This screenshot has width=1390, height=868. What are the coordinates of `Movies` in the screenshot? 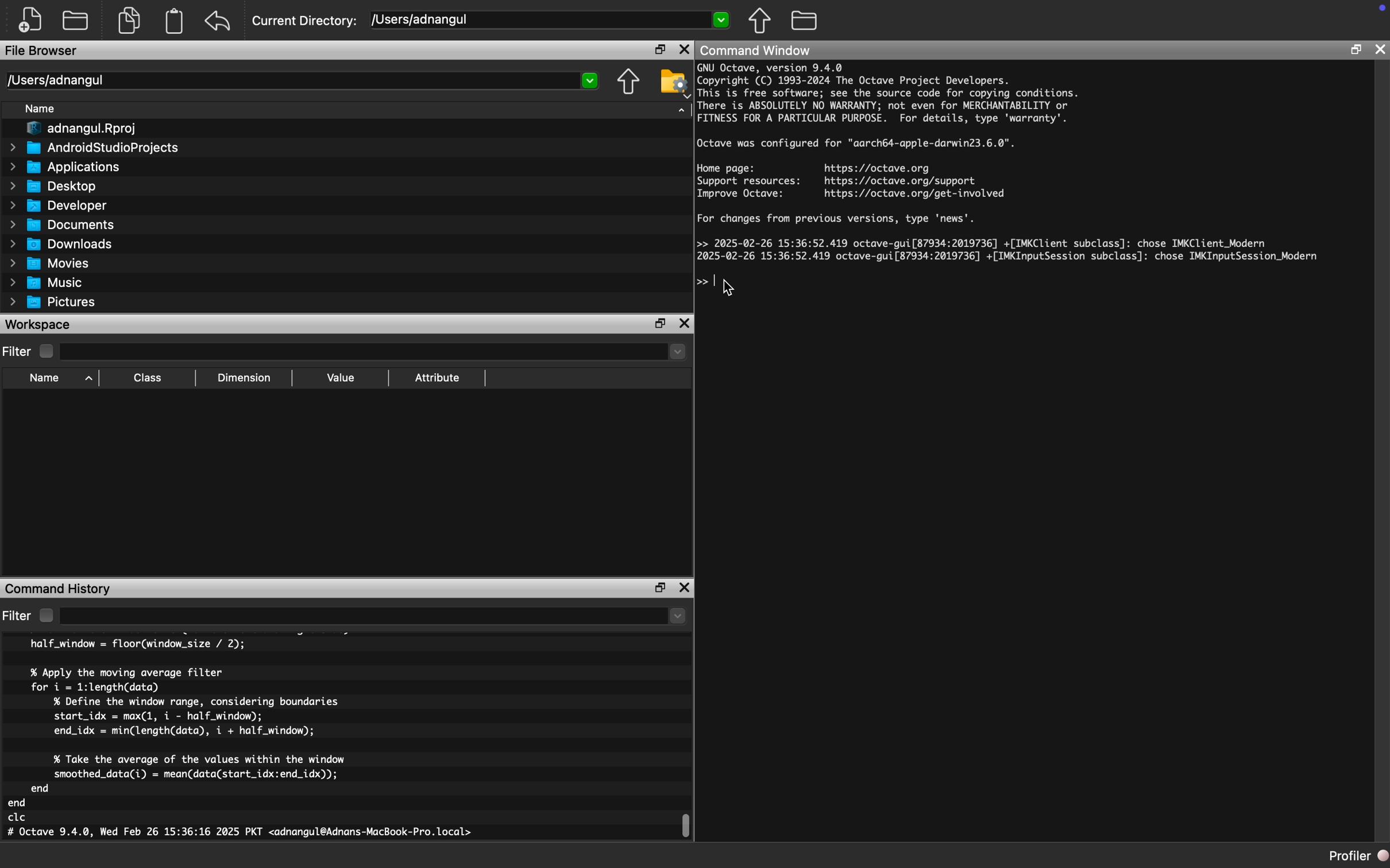 It's located at (50, 264).